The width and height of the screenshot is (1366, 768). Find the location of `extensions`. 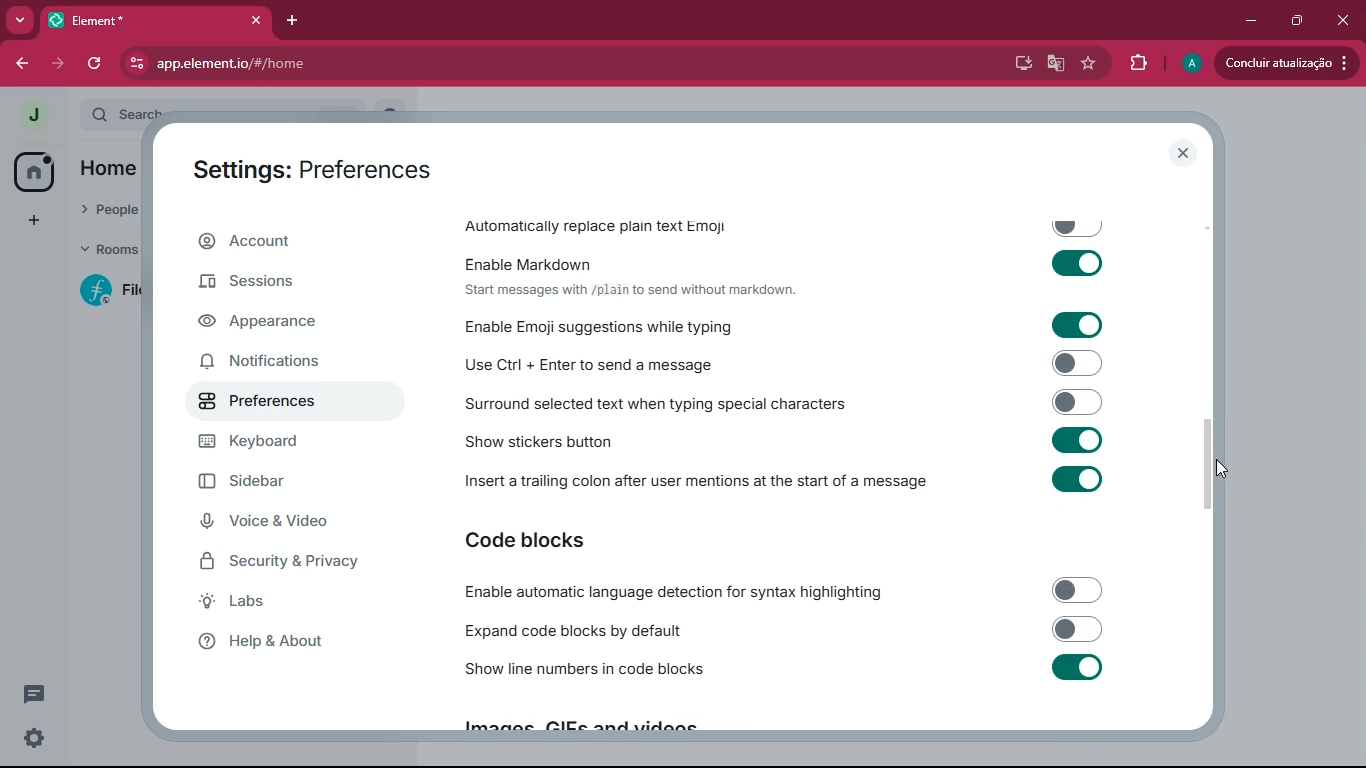

extensions is located at coordinates (1134, 63).